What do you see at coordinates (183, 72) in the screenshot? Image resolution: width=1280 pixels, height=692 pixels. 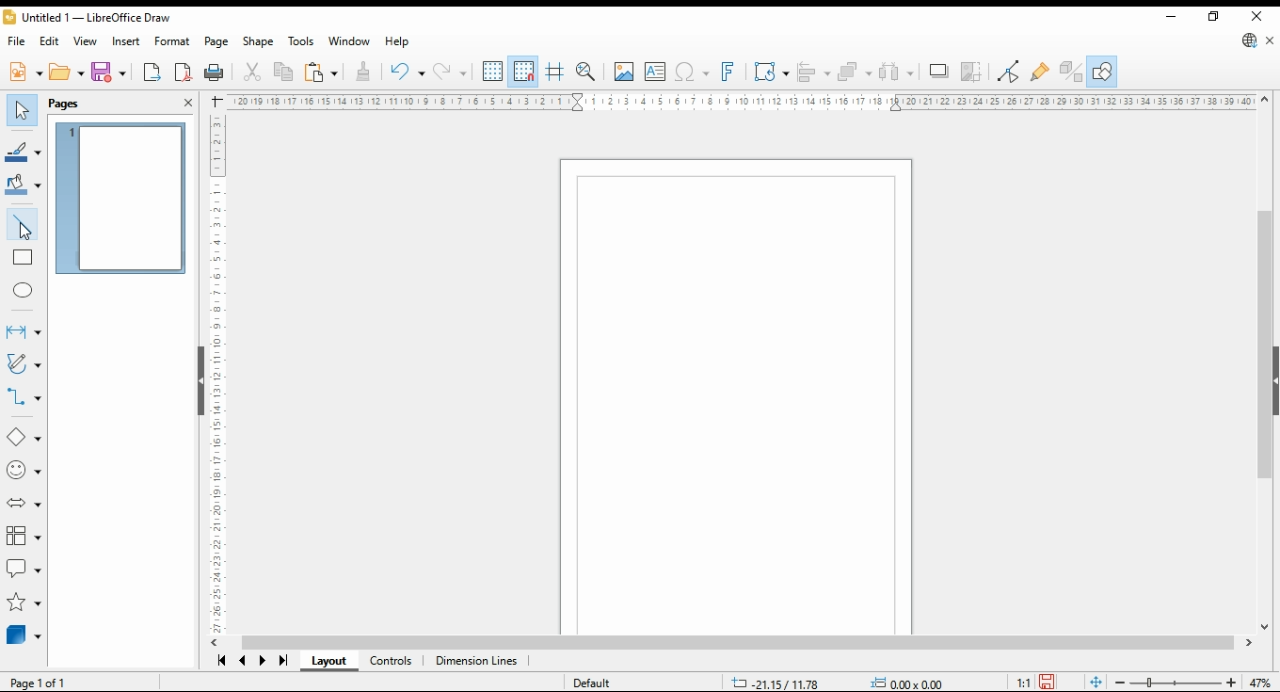 I see `export as pdf` at bounding box center [183, 72].